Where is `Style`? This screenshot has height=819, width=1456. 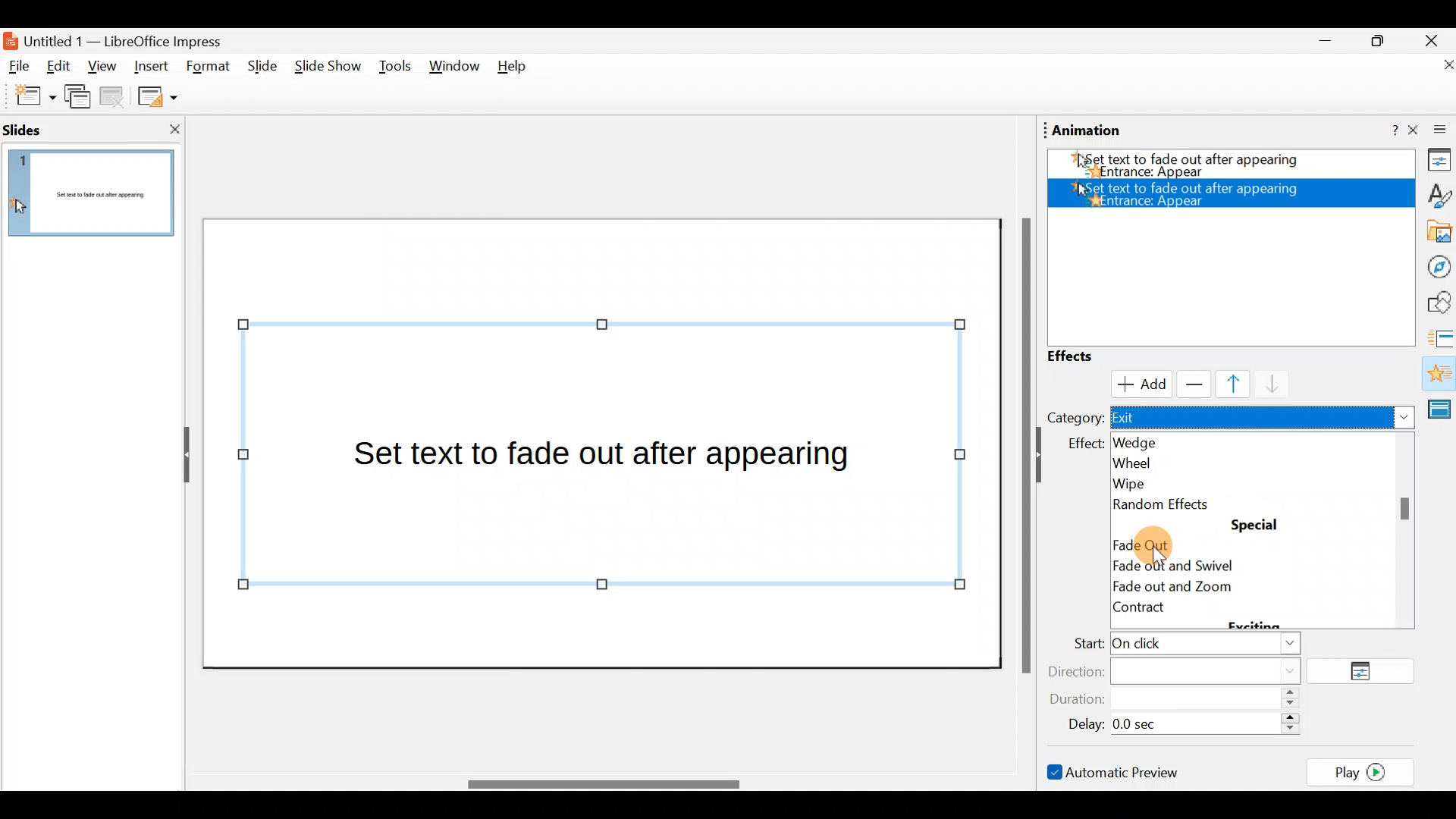 Style is located at coordinates (1434, 194).